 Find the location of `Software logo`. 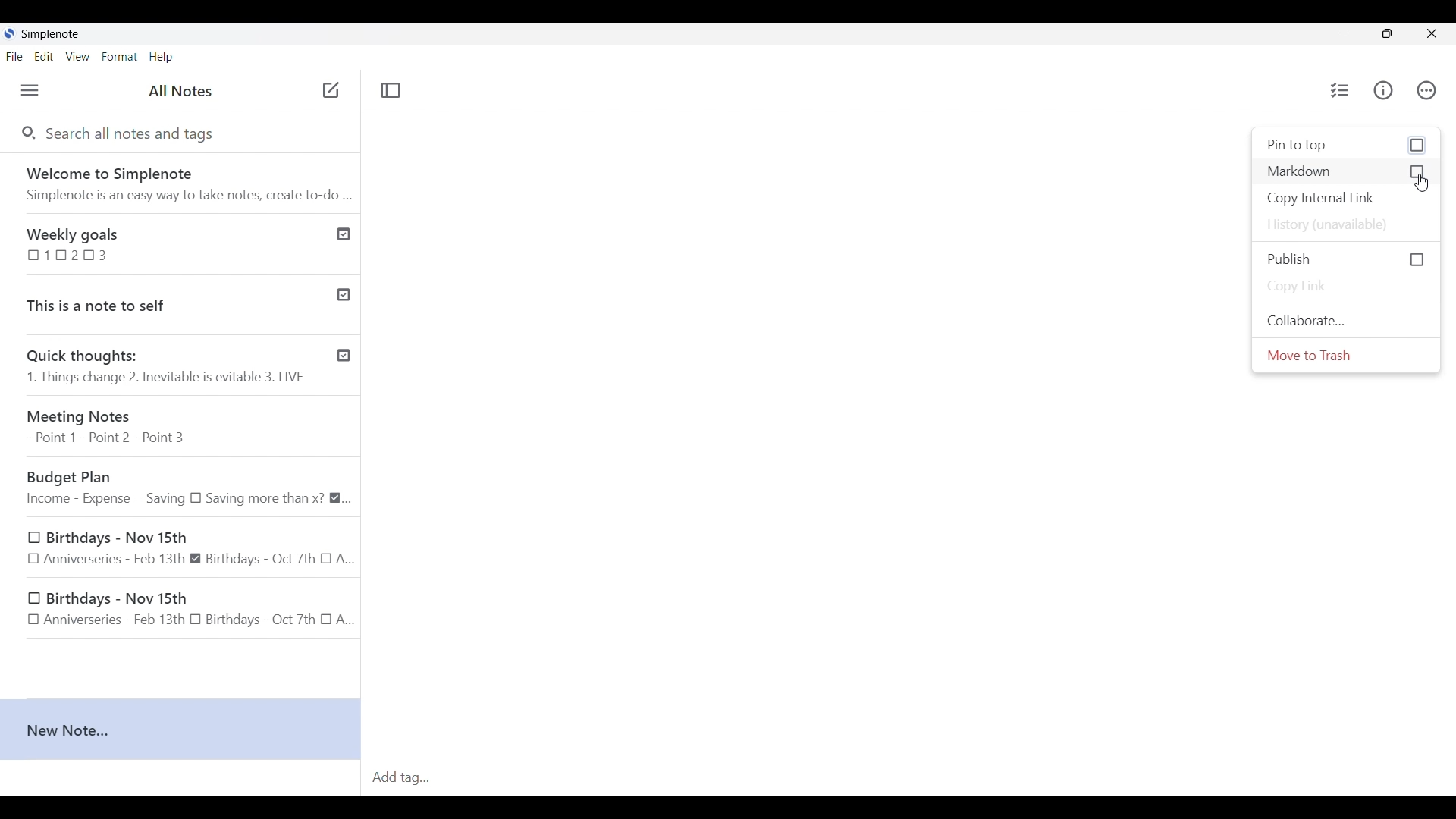

Software logo is located at coordinates (9, 33).